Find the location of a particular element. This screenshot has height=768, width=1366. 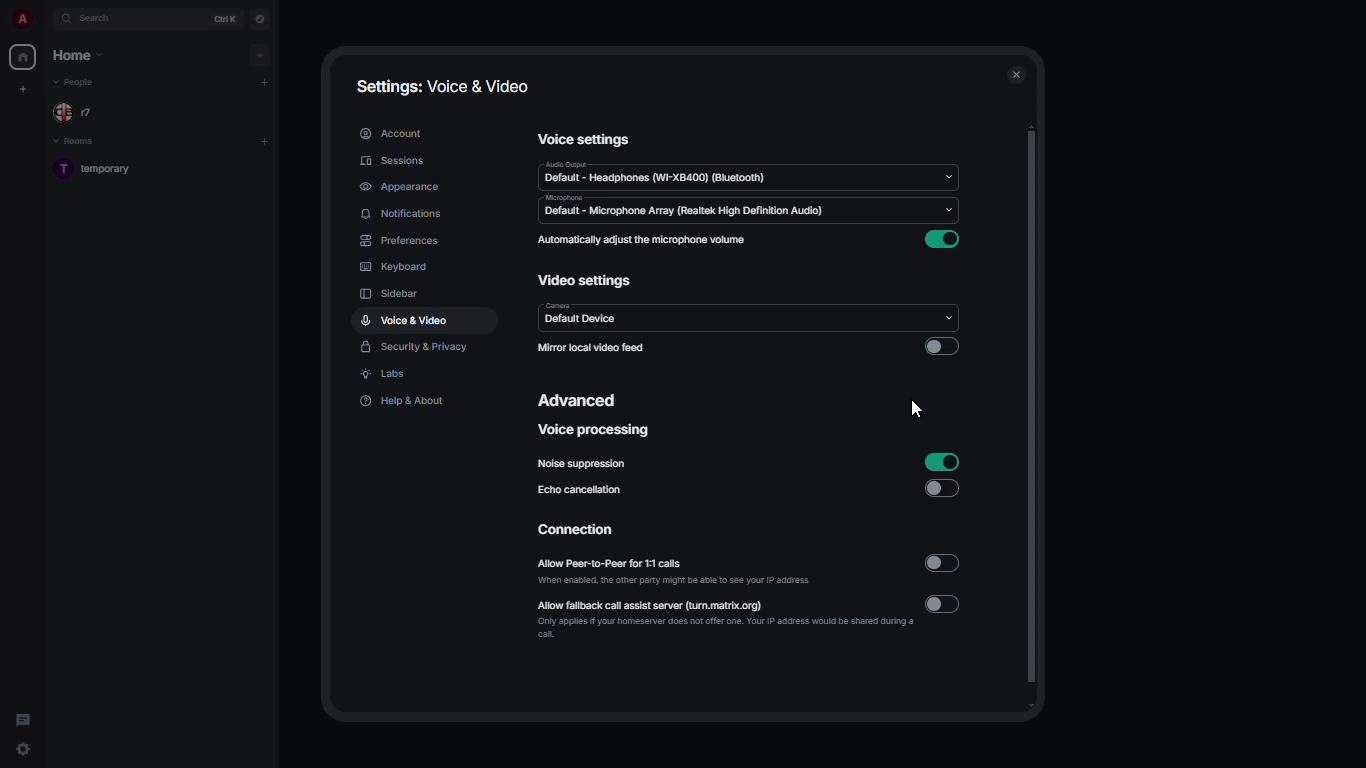

threads is located at coordinates (23, 716).